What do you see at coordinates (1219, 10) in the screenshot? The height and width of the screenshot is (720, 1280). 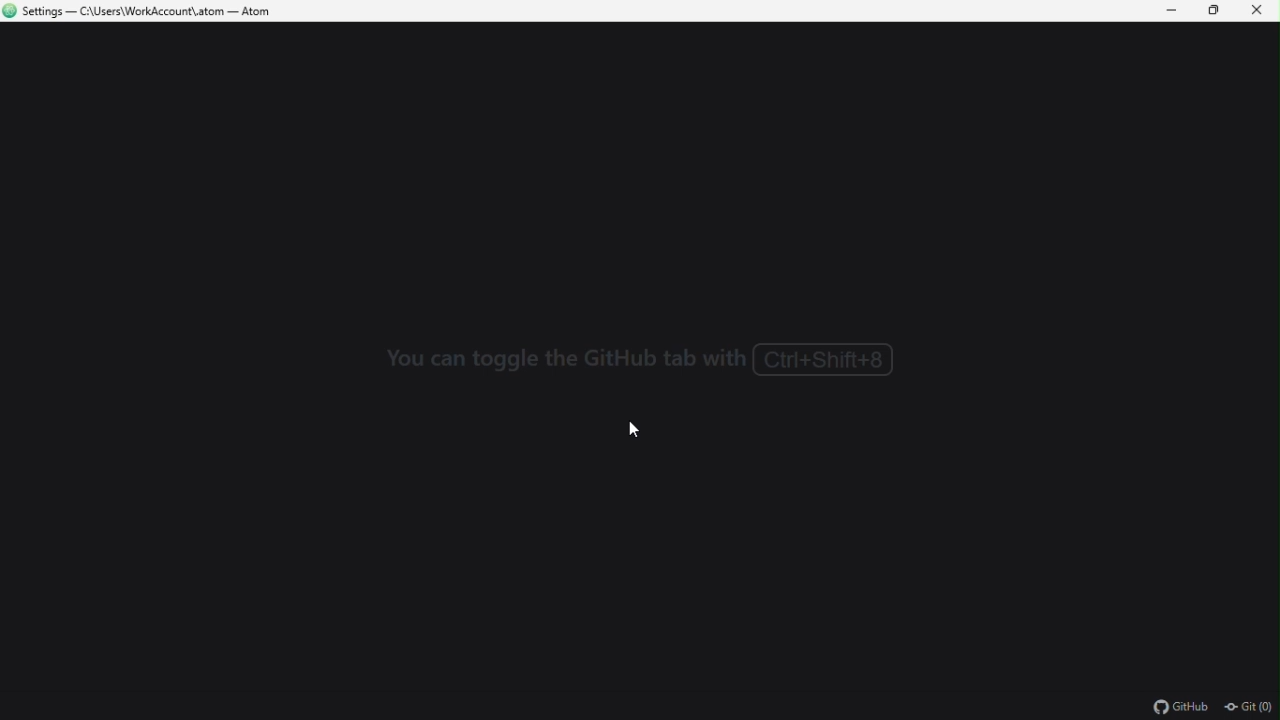 I see `restore` at bounding box center [1219, 10].